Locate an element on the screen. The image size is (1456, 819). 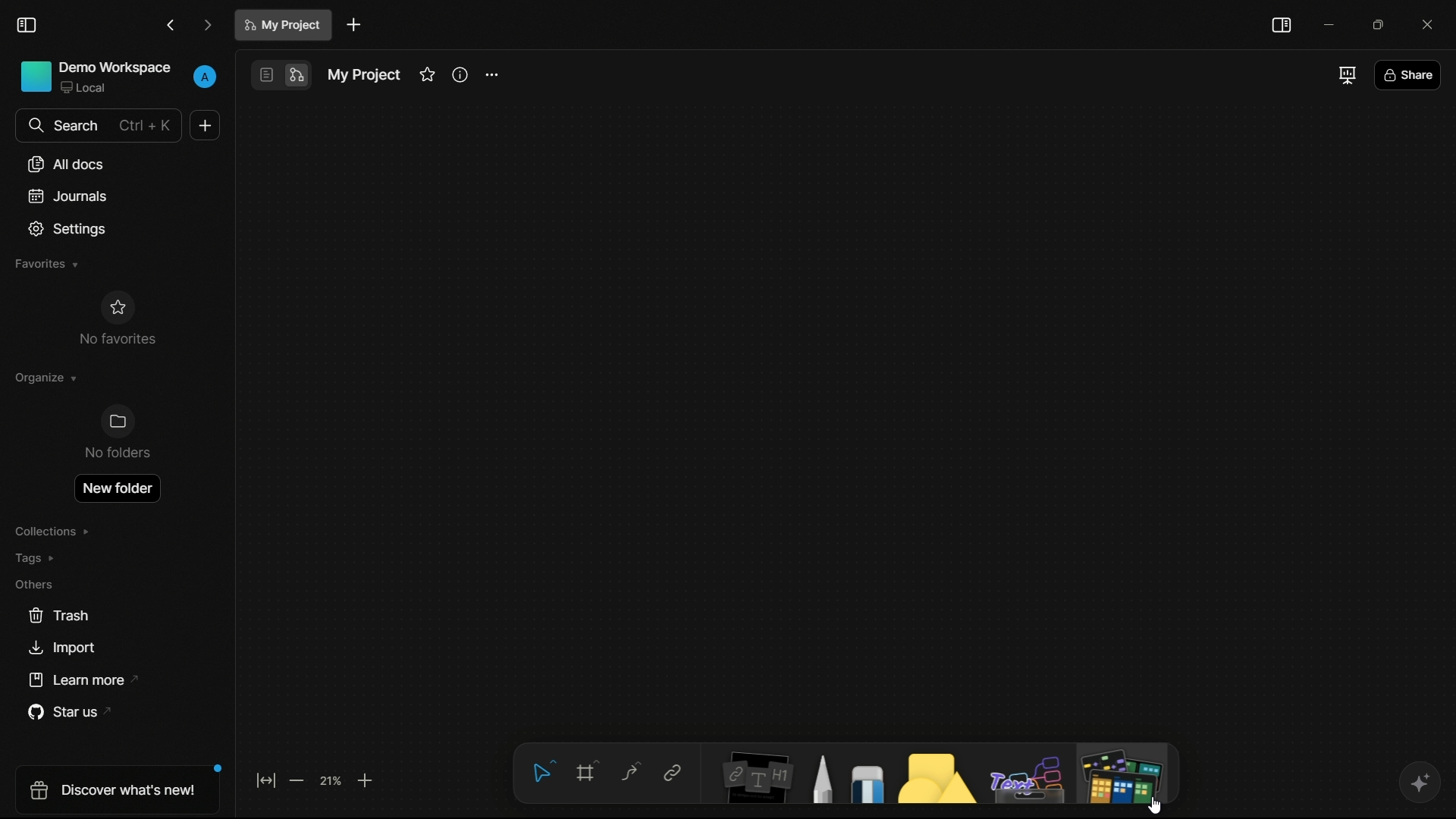
no folders is located at coordinates (117, 435).